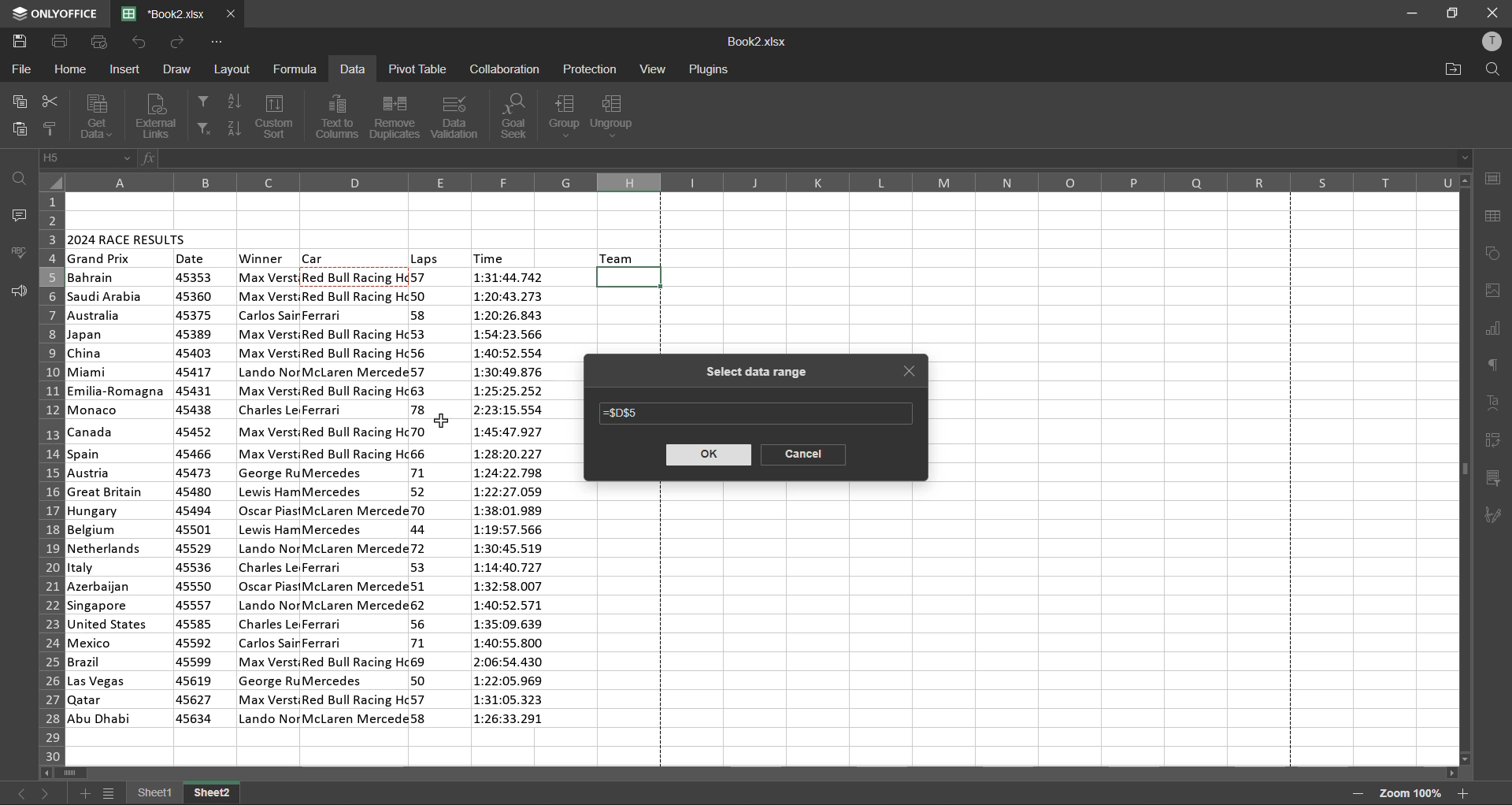 Image resolution: width=1512 pixels, height=805 pixels. What do you see at coordinates (1454, 69) in the screenshot?
I see `open location` at bounding box center [1454, 69].